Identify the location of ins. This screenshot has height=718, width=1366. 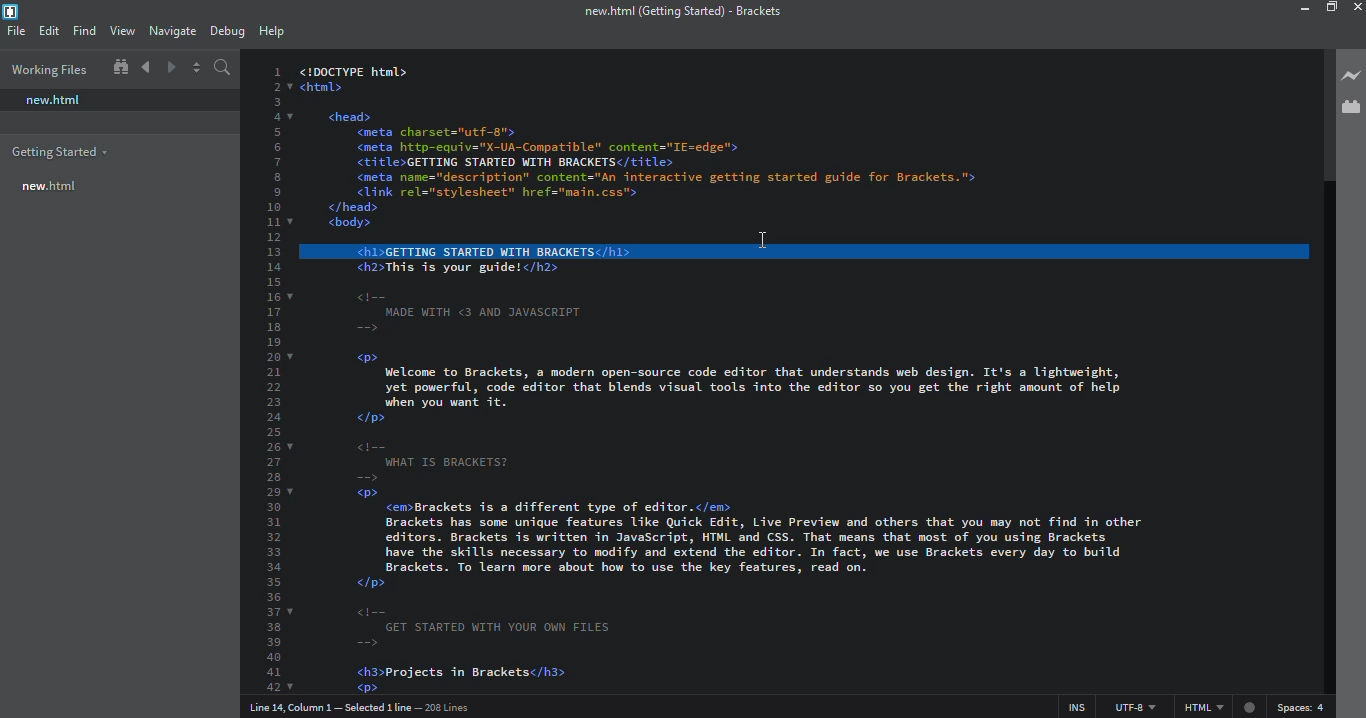
(1073, 706).